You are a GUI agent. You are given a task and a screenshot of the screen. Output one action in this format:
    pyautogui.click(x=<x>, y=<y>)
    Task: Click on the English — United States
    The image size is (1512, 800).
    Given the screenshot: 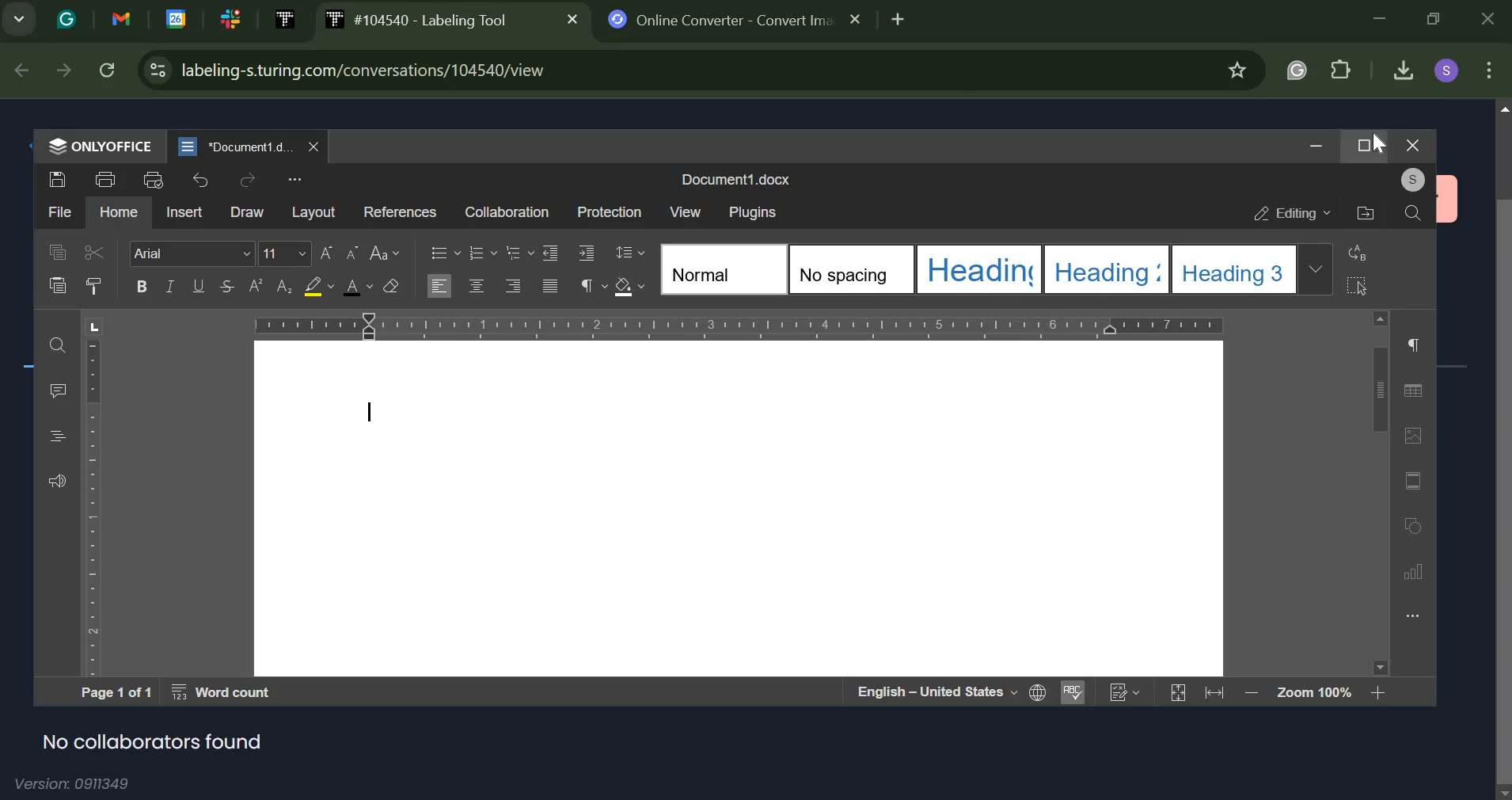 What is the action you would take?
    pyautogui.click(x=936, y=691)
    